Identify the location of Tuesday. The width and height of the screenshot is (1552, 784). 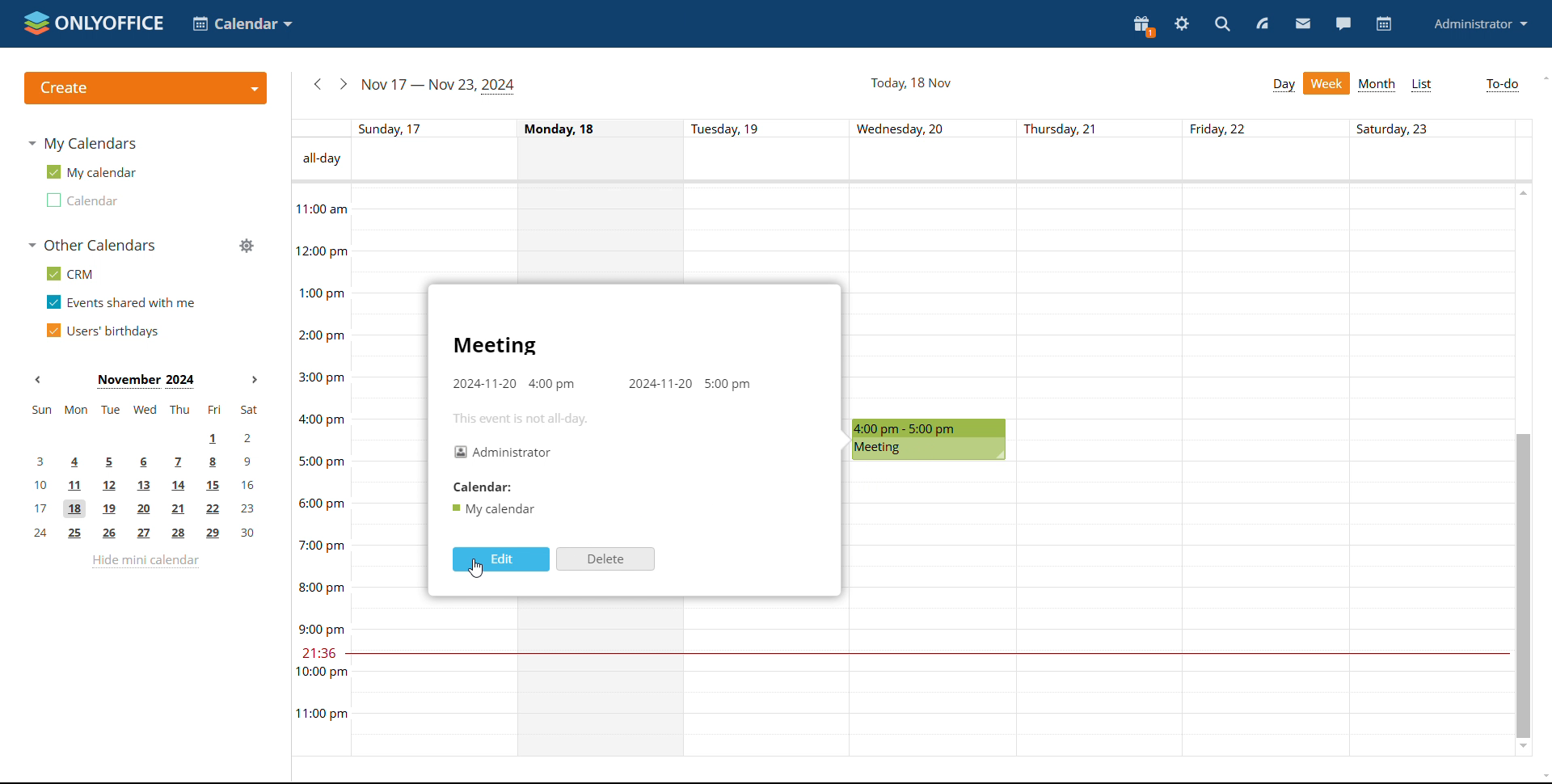
(769, 679).